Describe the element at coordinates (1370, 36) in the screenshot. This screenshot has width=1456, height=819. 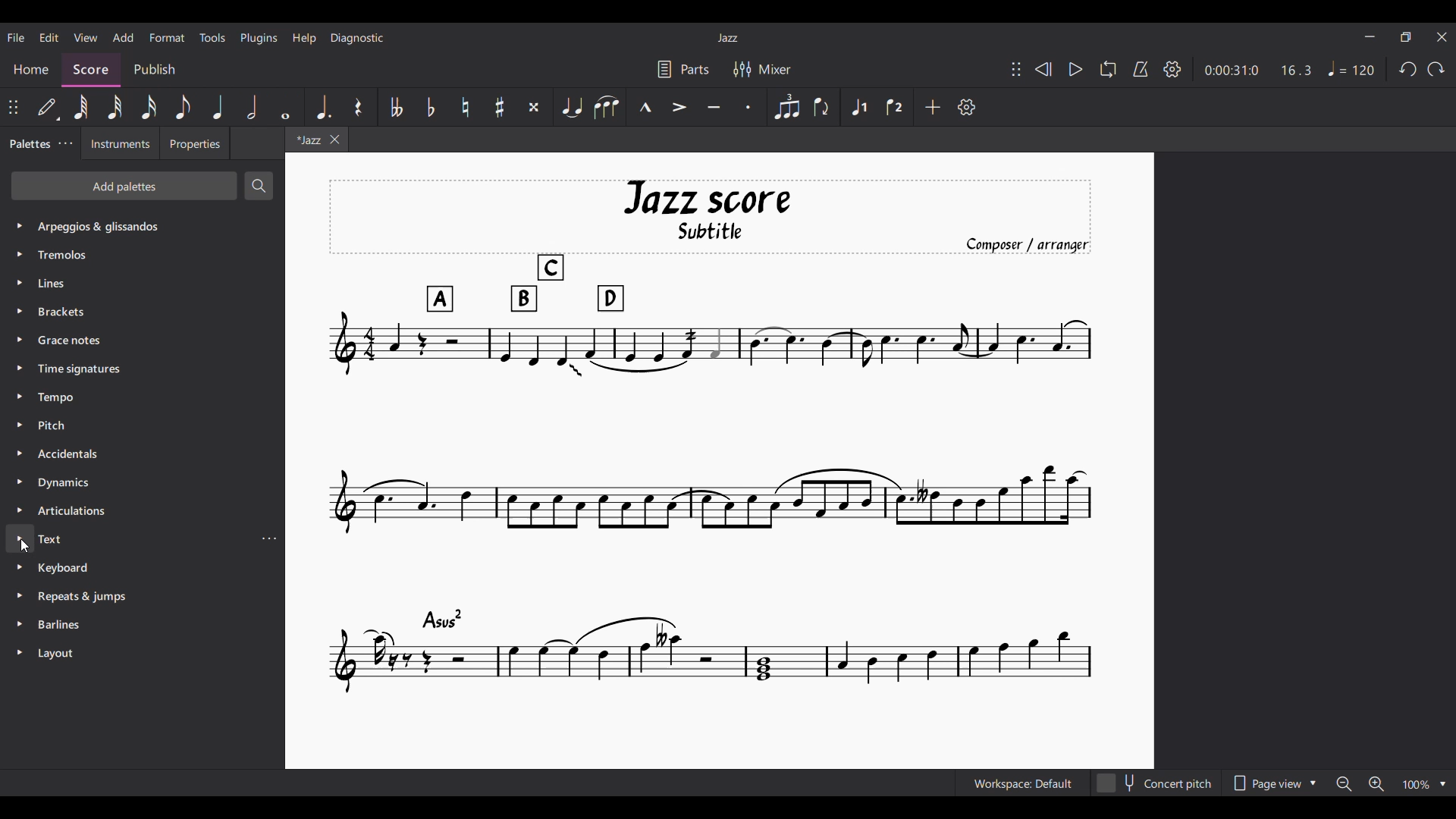
I see `Minimize` at that location.